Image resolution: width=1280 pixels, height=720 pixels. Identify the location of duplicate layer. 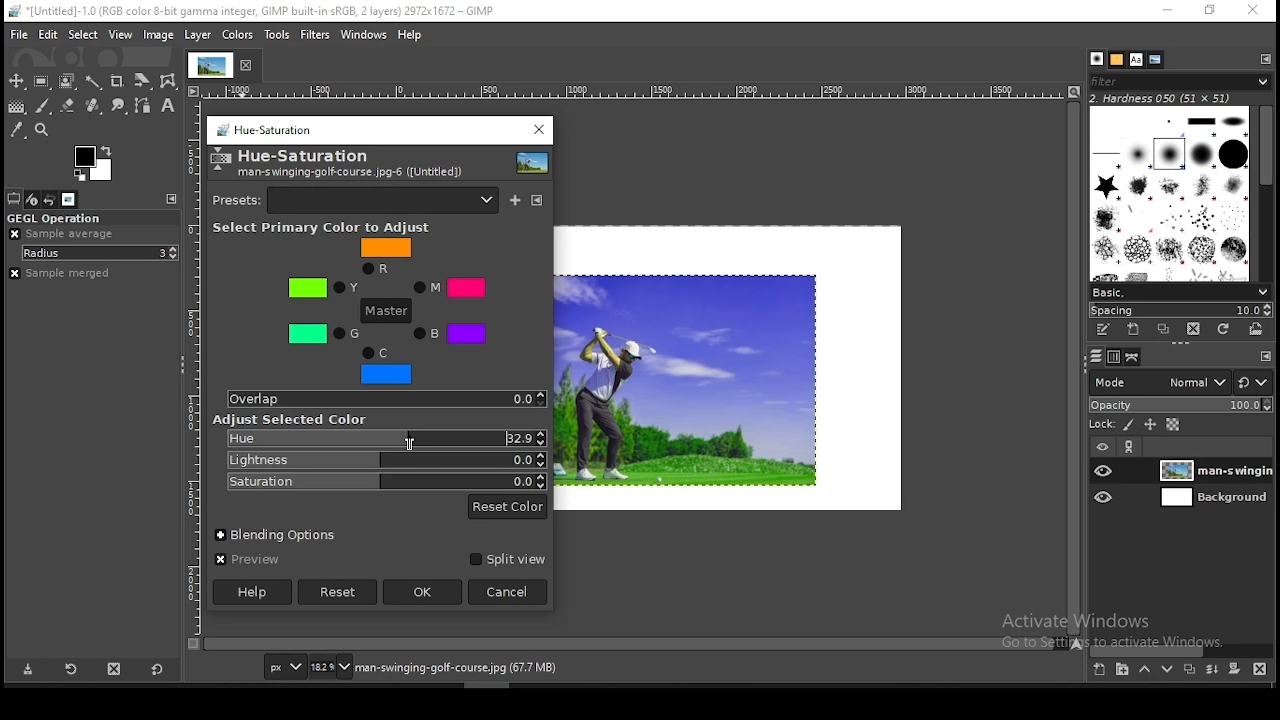
(1190, 669).